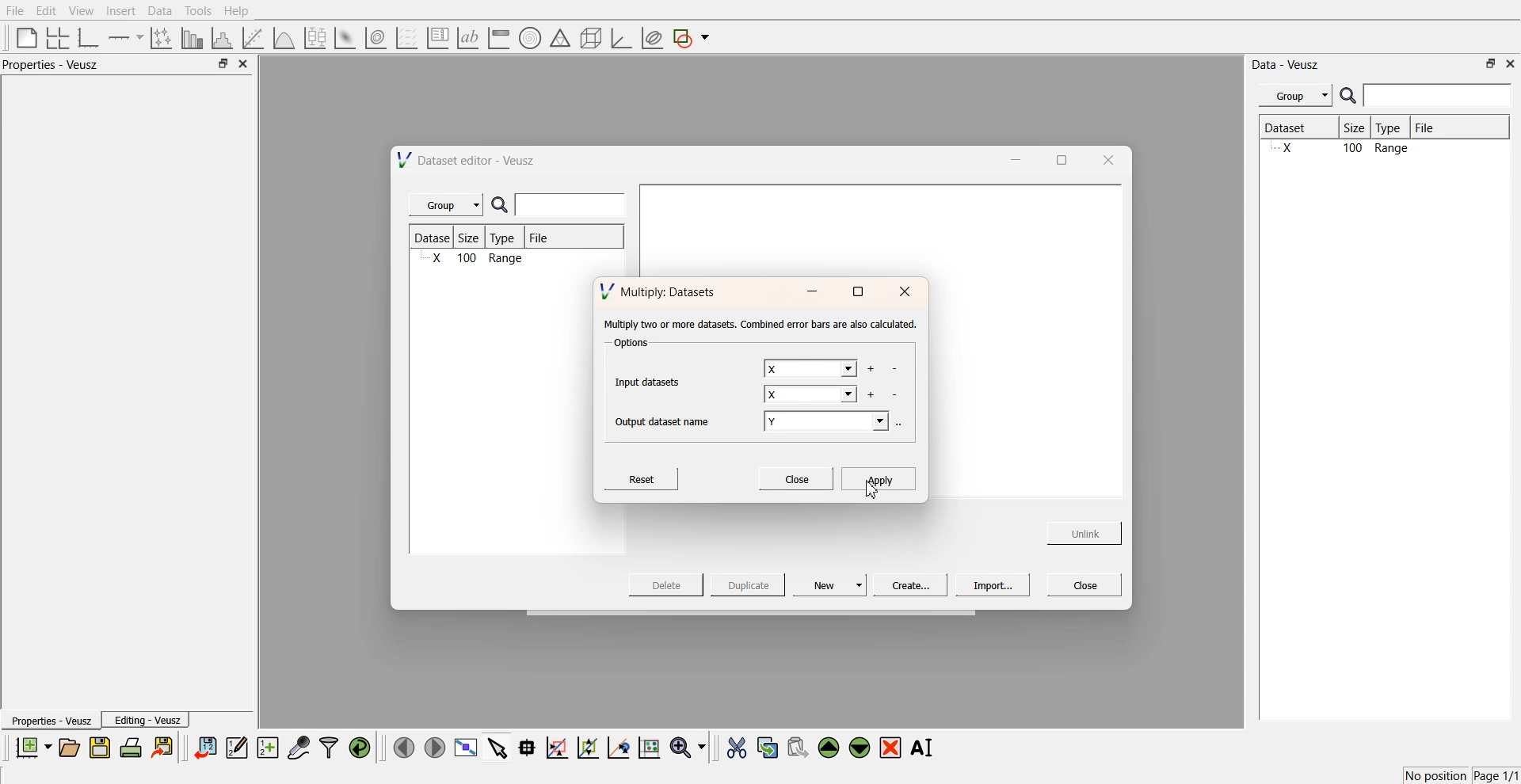 The height and width of the screenshot is (784, 1521). What do you see at coordinates (1057, 158) in the screenshot?
I see `maximise` at bounding box center [1057, 158].